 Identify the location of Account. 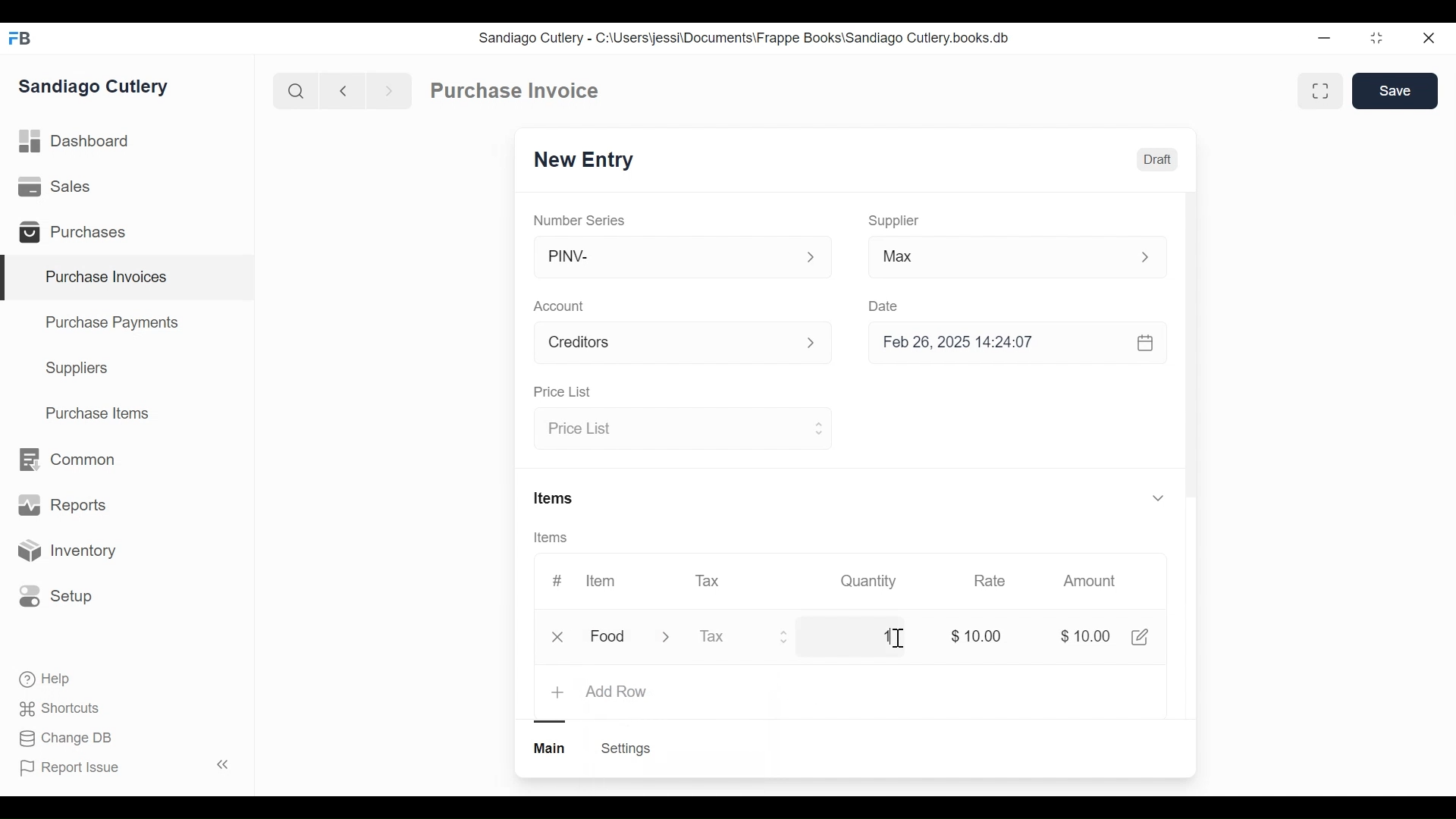
(562, 308).